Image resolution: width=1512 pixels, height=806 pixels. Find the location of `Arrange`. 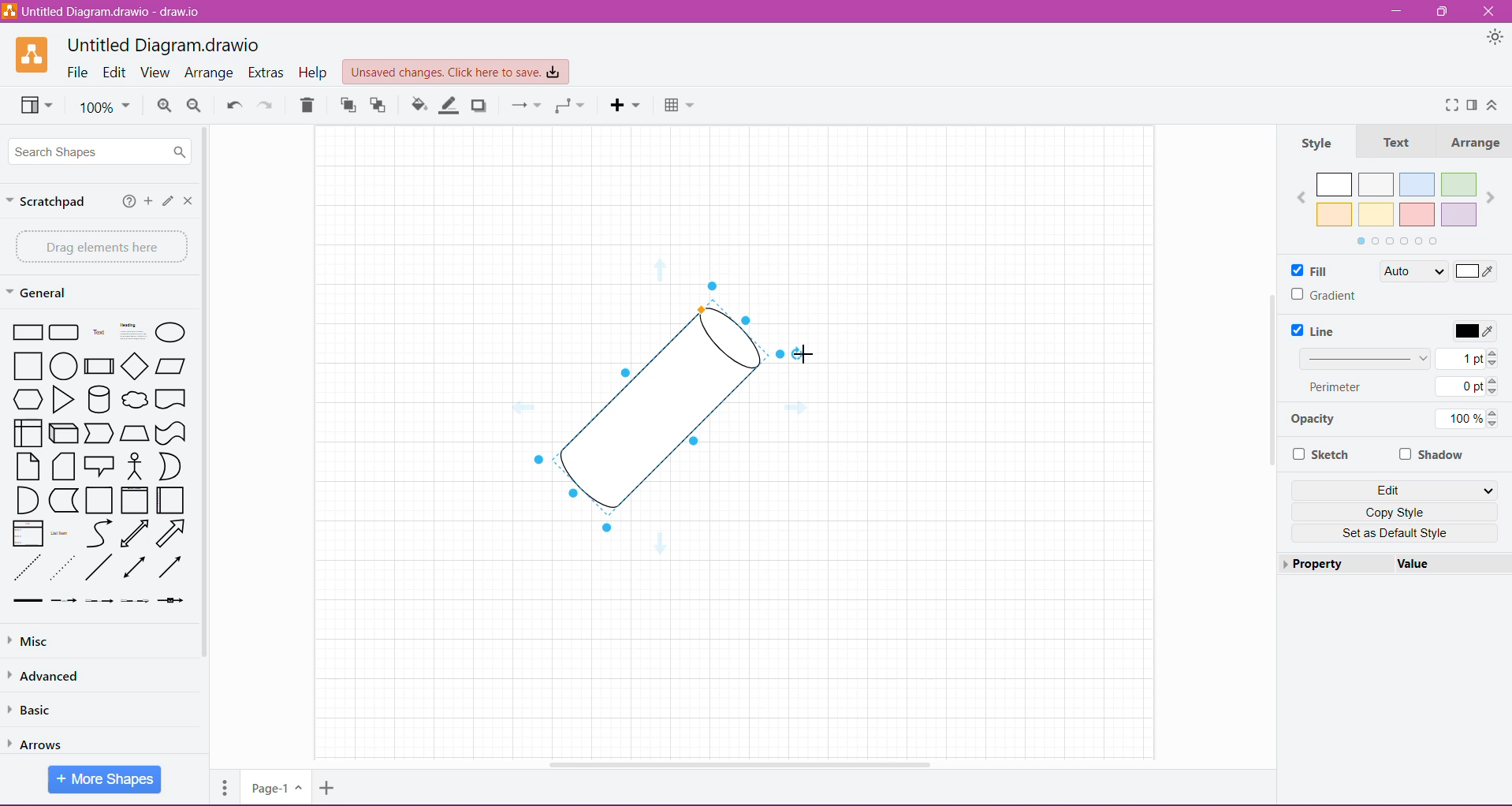

Arrange is located at coordinates (210, 73).